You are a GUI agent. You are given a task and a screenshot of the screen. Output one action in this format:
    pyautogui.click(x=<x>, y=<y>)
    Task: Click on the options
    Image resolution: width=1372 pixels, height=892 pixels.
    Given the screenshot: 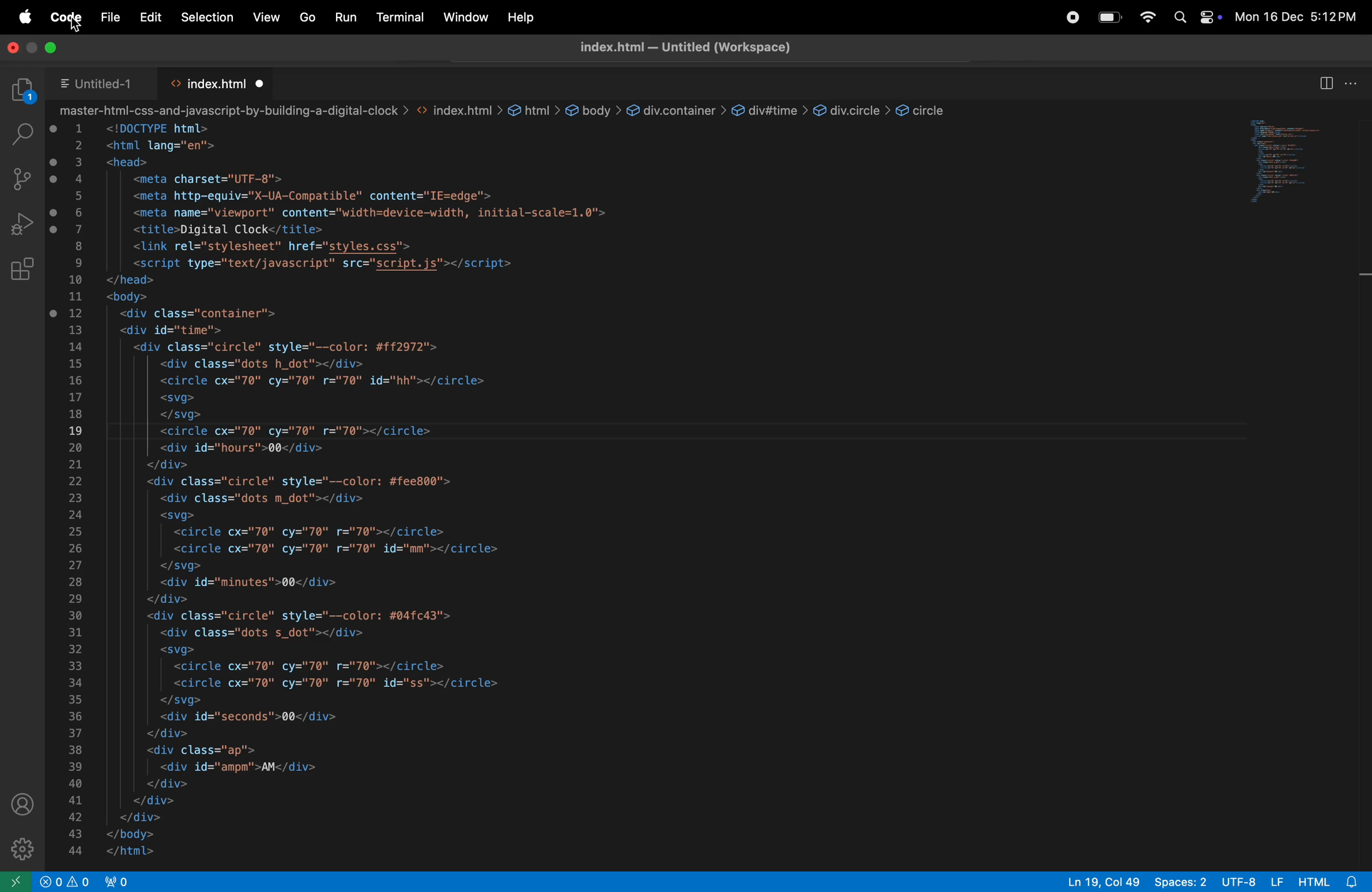 What is the action you would take?
    pyautogui.click(x=1352, y=85)
    